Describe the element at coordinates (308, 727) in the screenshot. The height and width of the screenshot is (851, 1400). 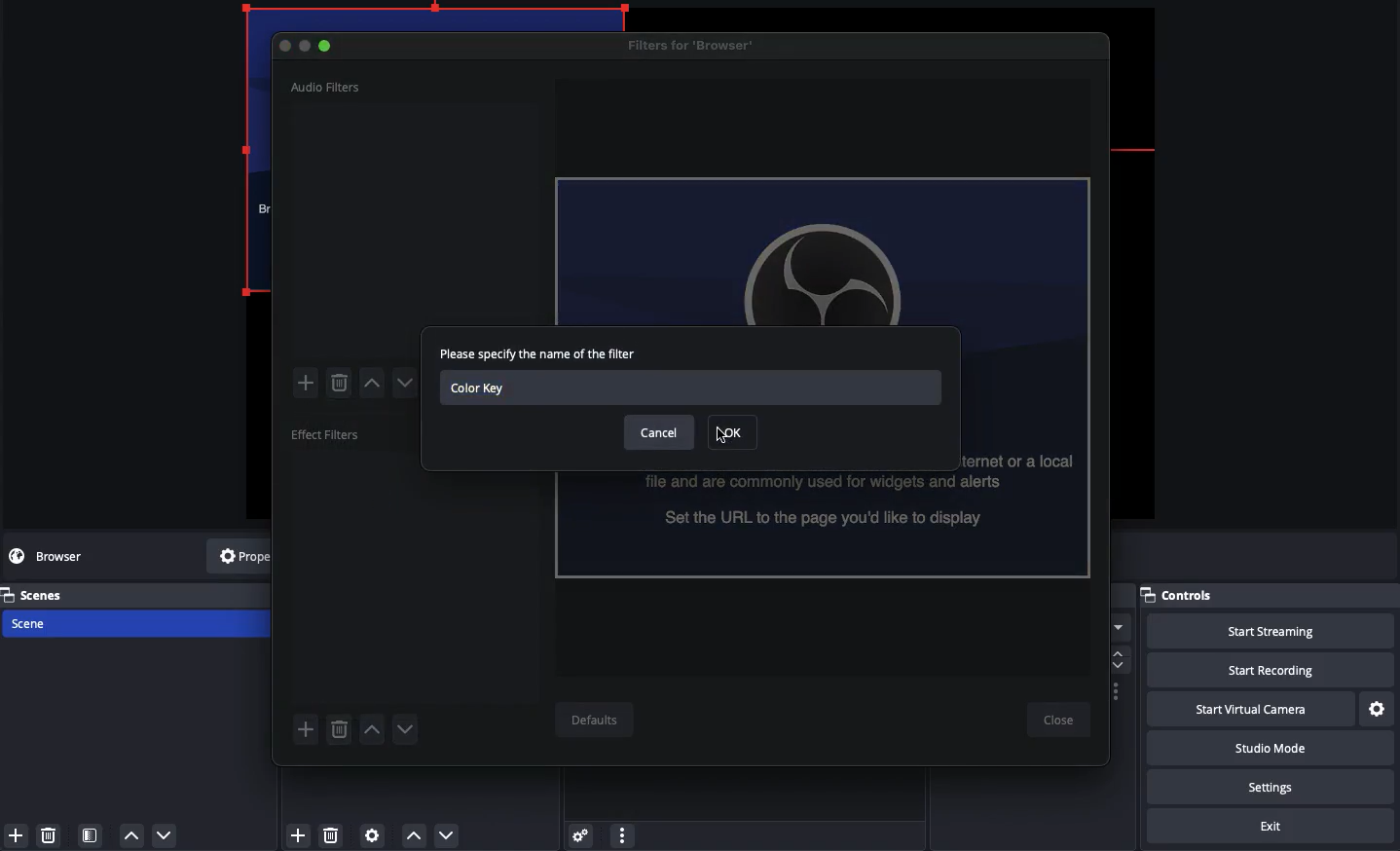
I see `Add` at that location.